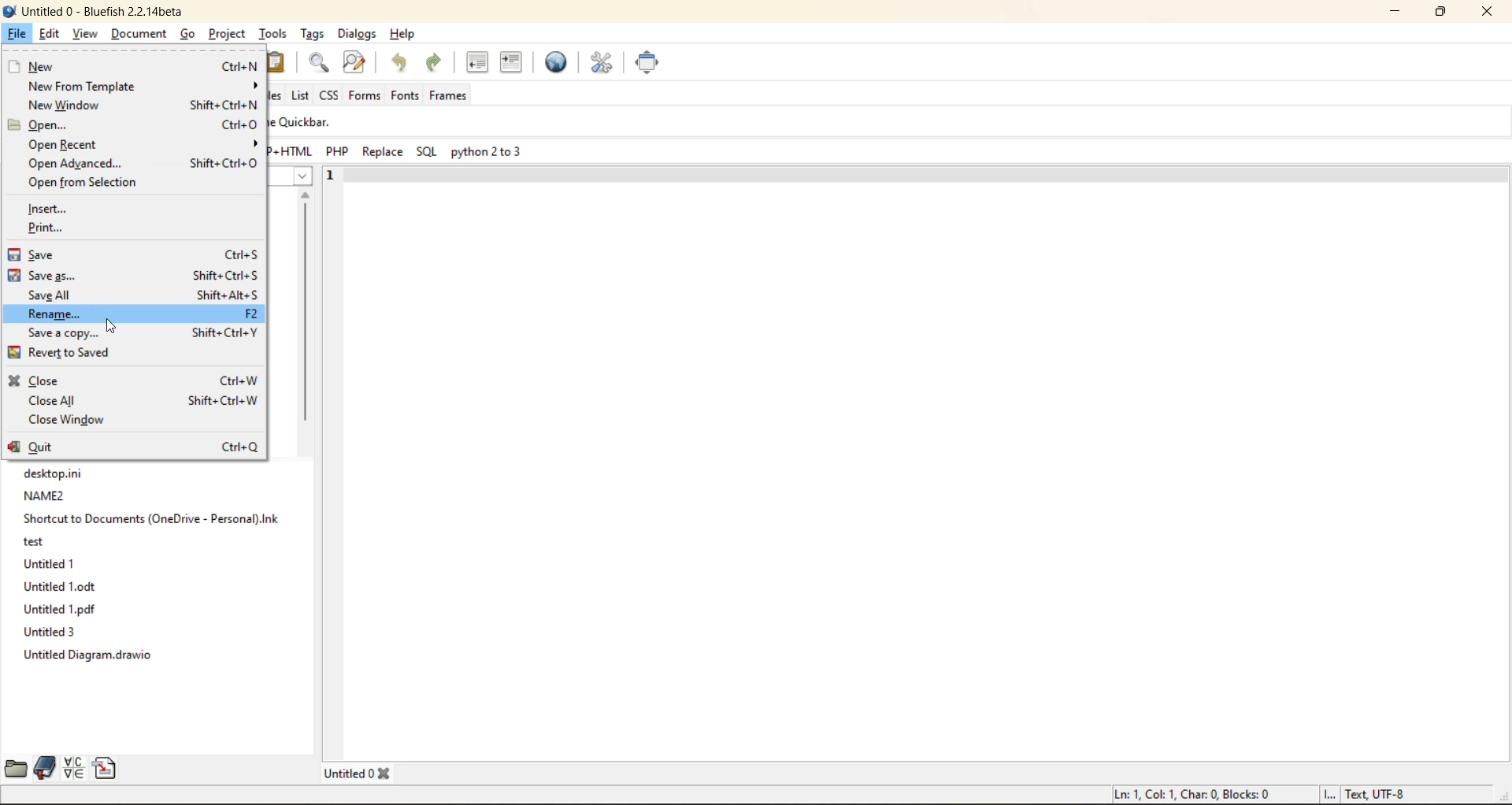 The image size is (1512, 805). What do you see at coordinates (341, 150) in the screenshot?
I see `PHP` at bounding box center [341, 150].